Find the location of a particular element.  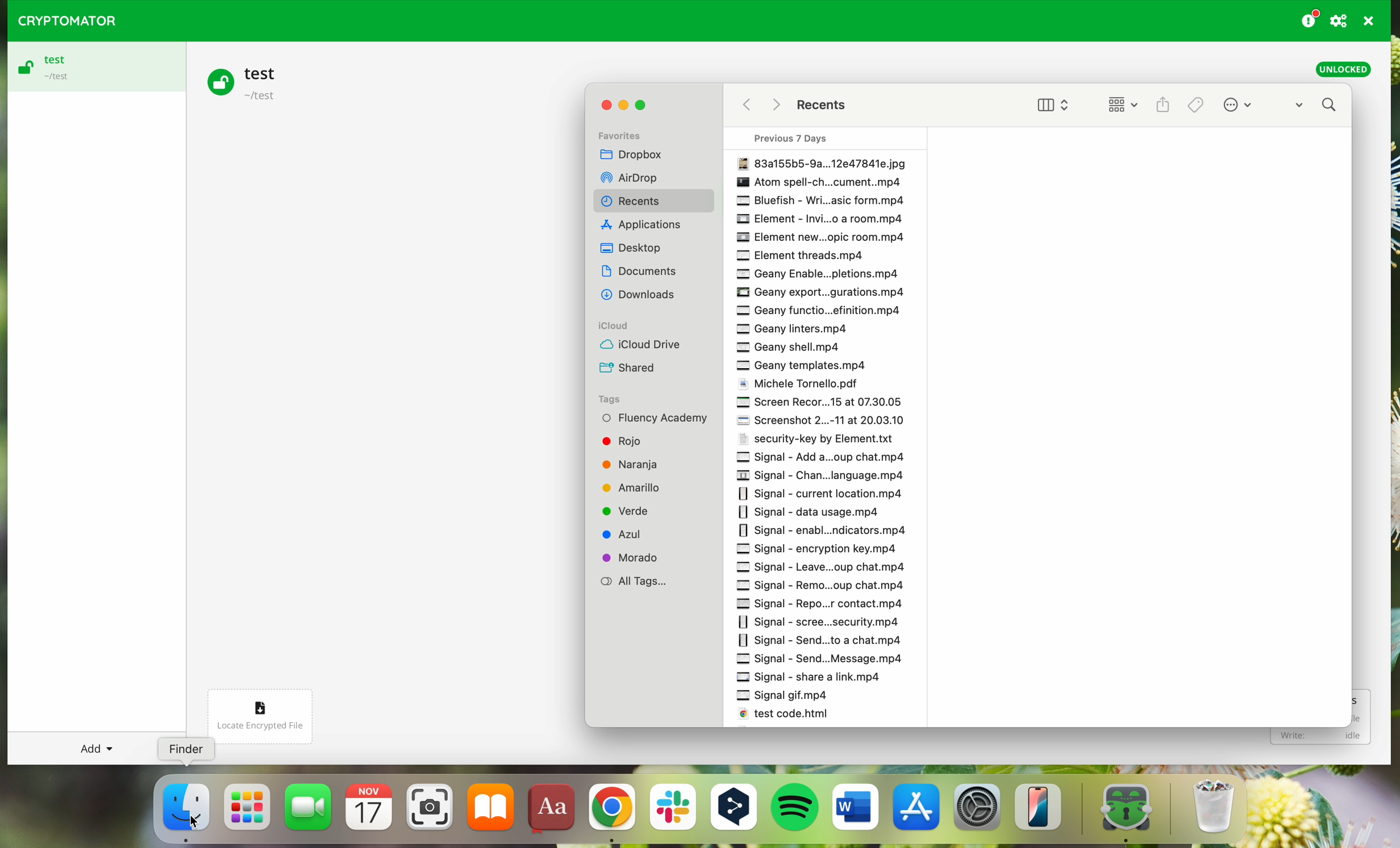

calendar is located at coordinates (371, 812).